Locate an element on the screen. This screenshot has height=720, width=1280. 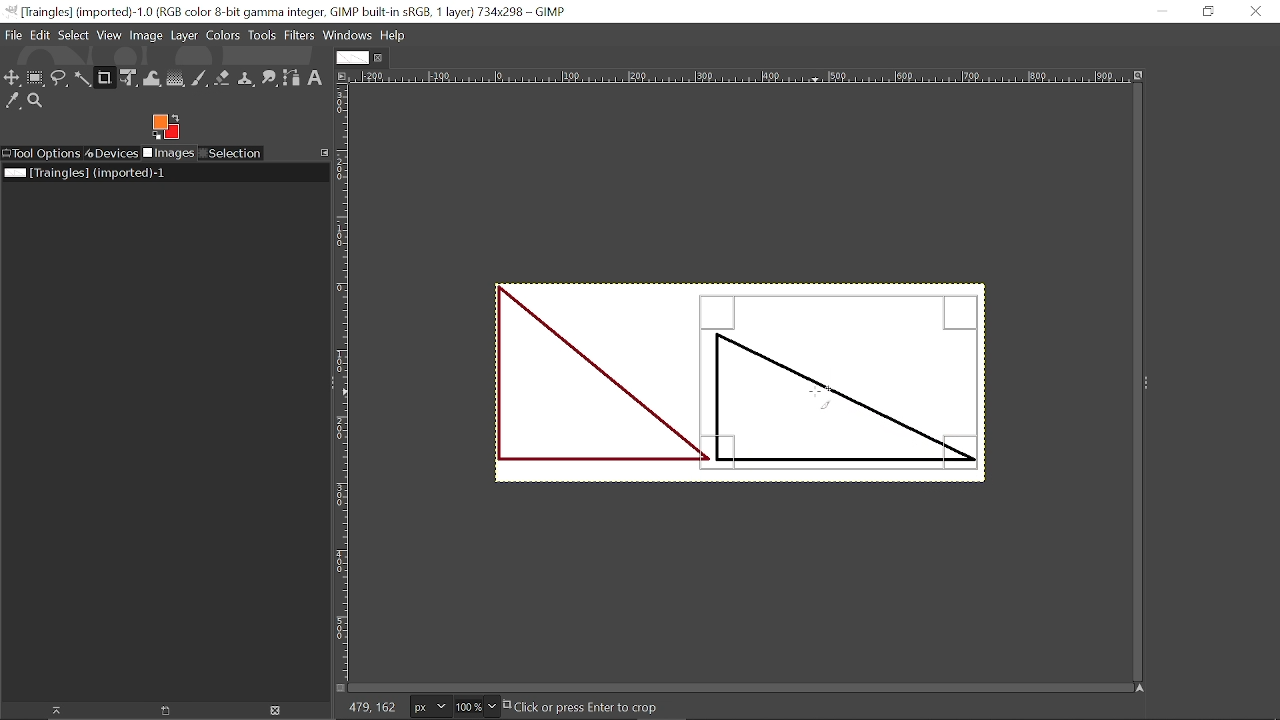
Gradient tool is located at coordinates (176, 78).